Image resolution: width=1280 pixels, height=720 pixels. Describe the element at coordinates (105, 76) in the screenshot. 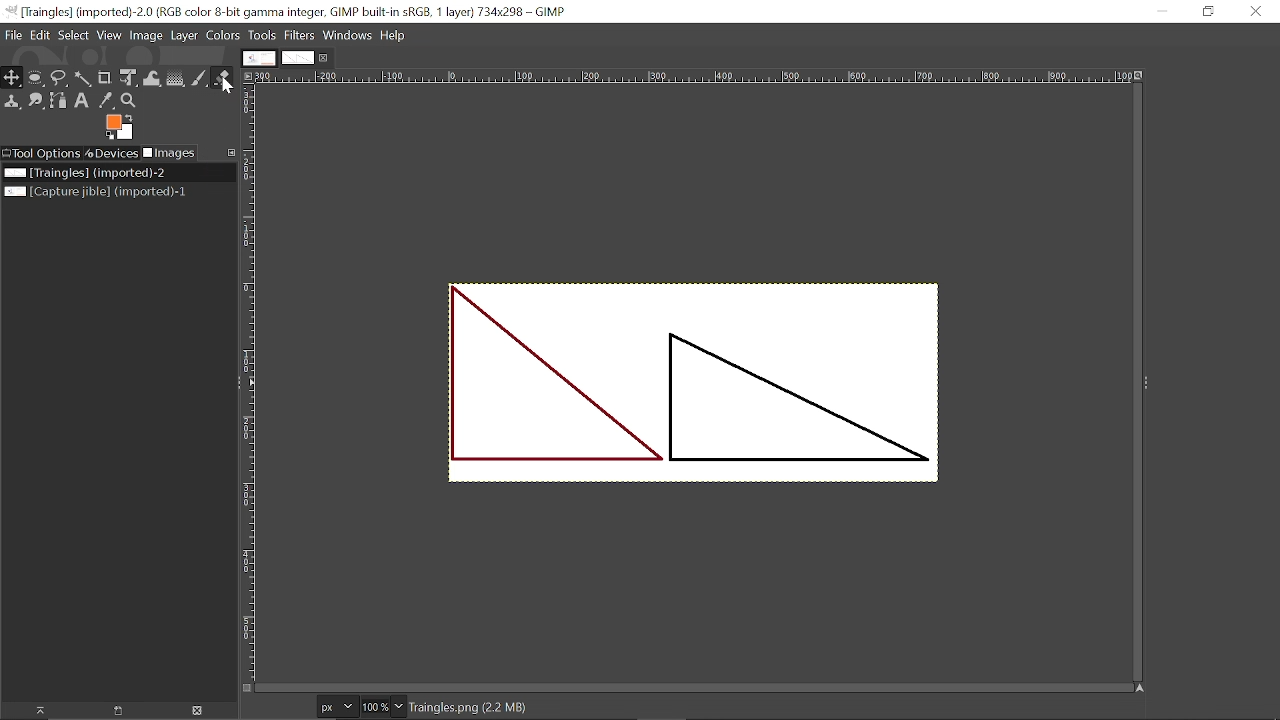

I see `Crop tool` at that location.